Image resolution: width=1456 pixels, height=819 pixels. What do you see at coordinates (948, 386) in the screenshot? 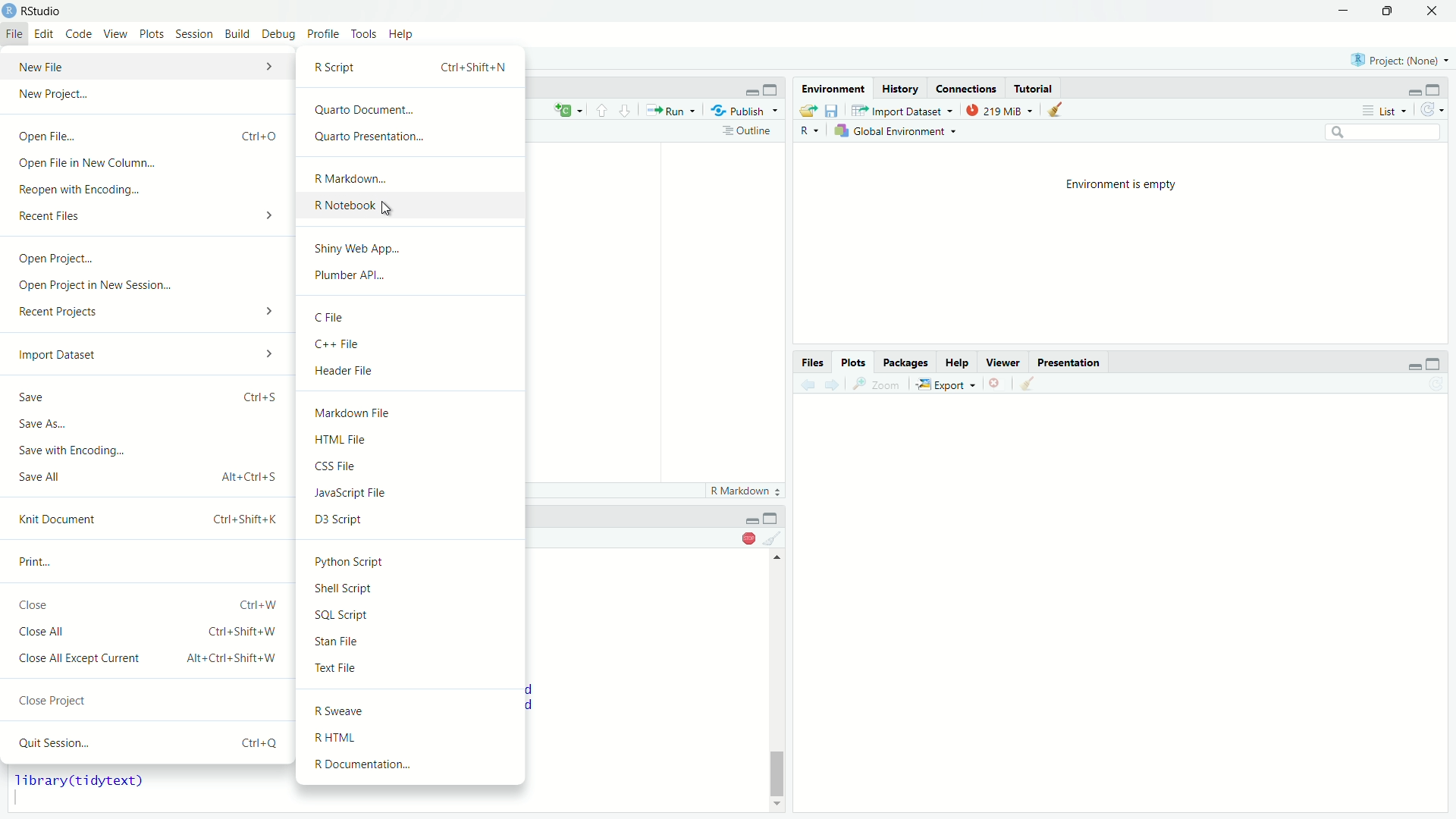
I see `Export as` at bounding box center [948, 386].